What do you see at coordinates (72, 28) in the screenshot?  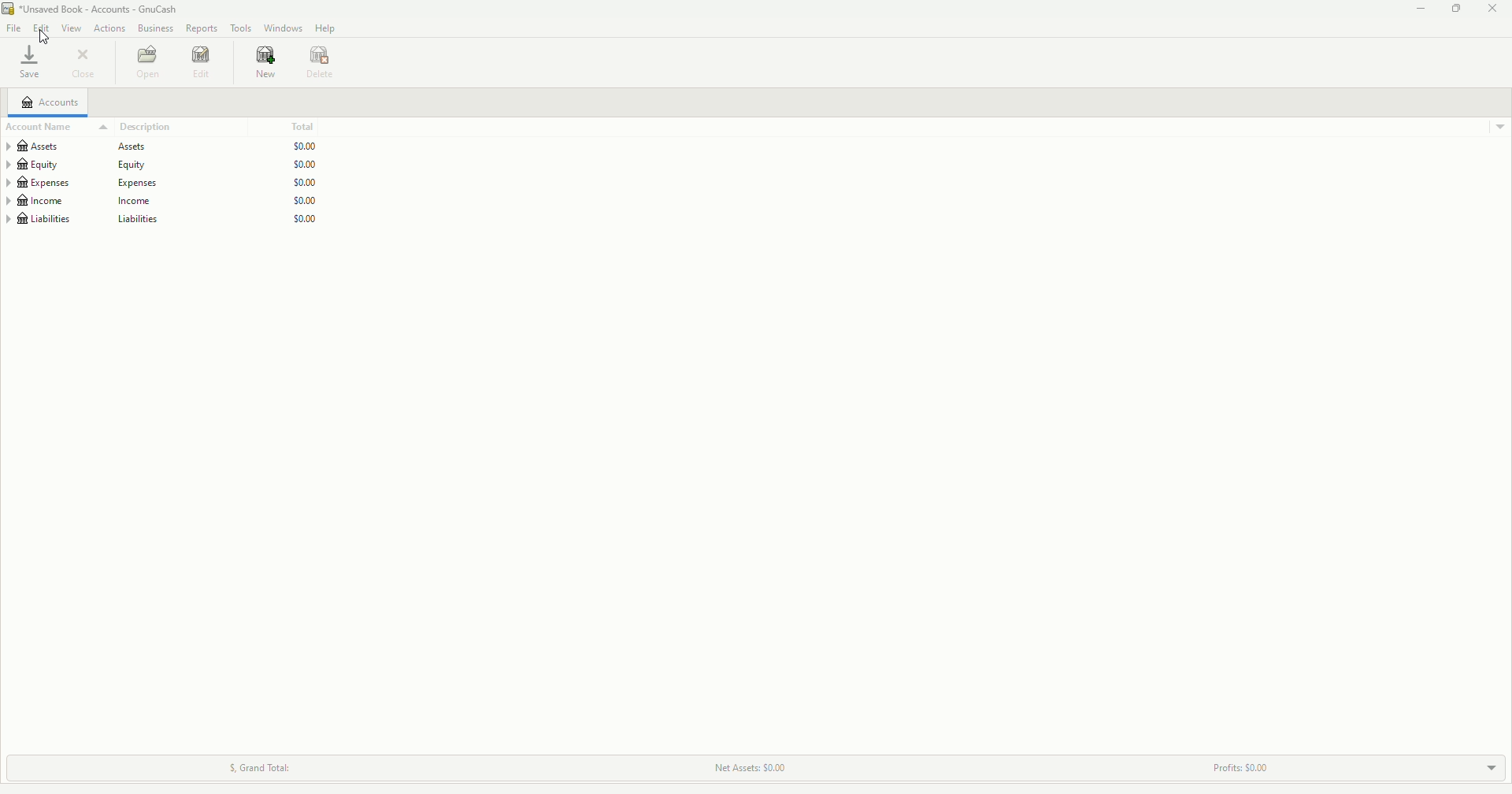 I see `View` at bounding box center [72, 28].